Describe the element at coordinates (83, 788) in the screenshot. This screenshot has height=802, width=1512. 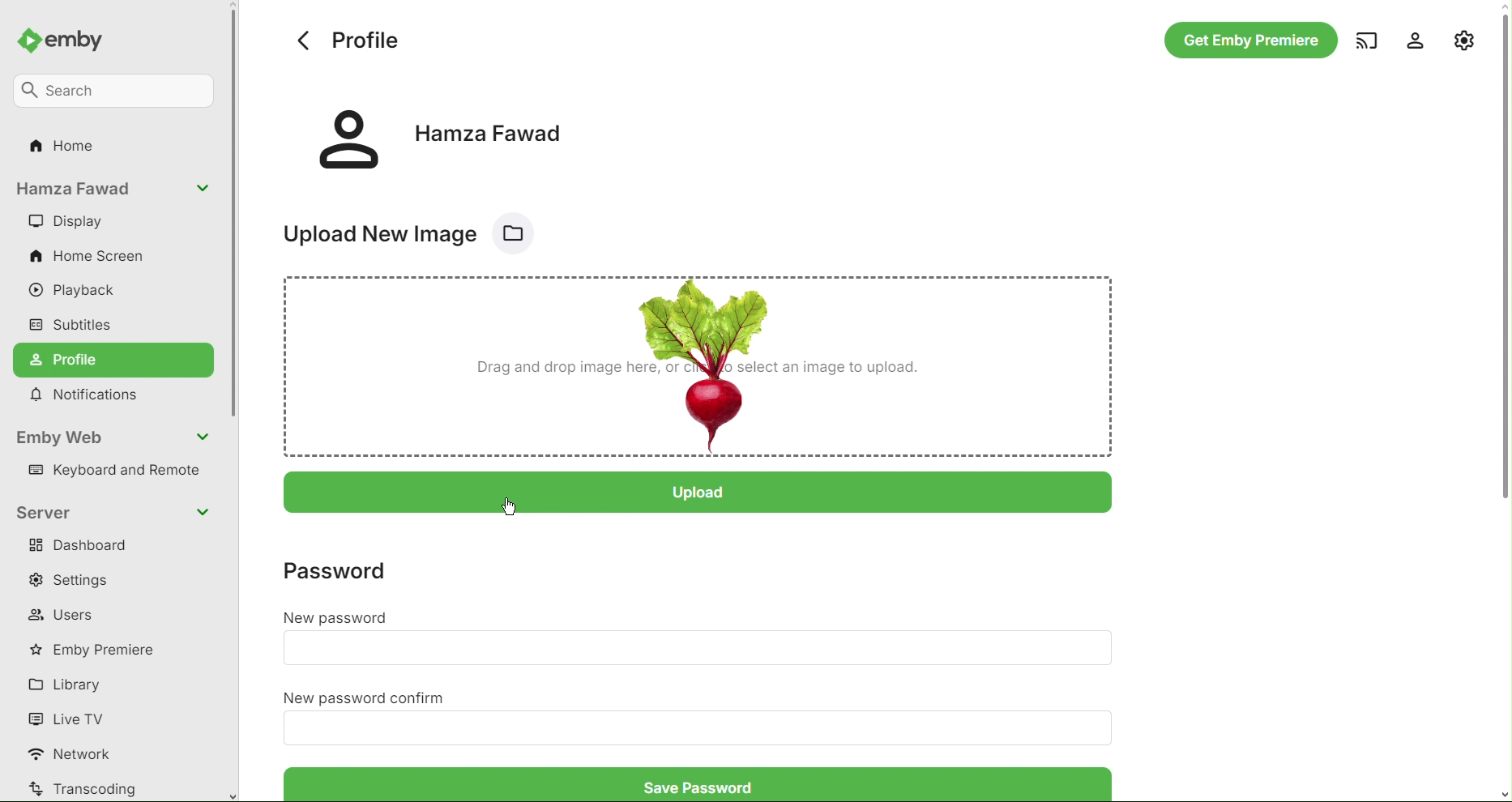
I see `Transcoding` at that location.